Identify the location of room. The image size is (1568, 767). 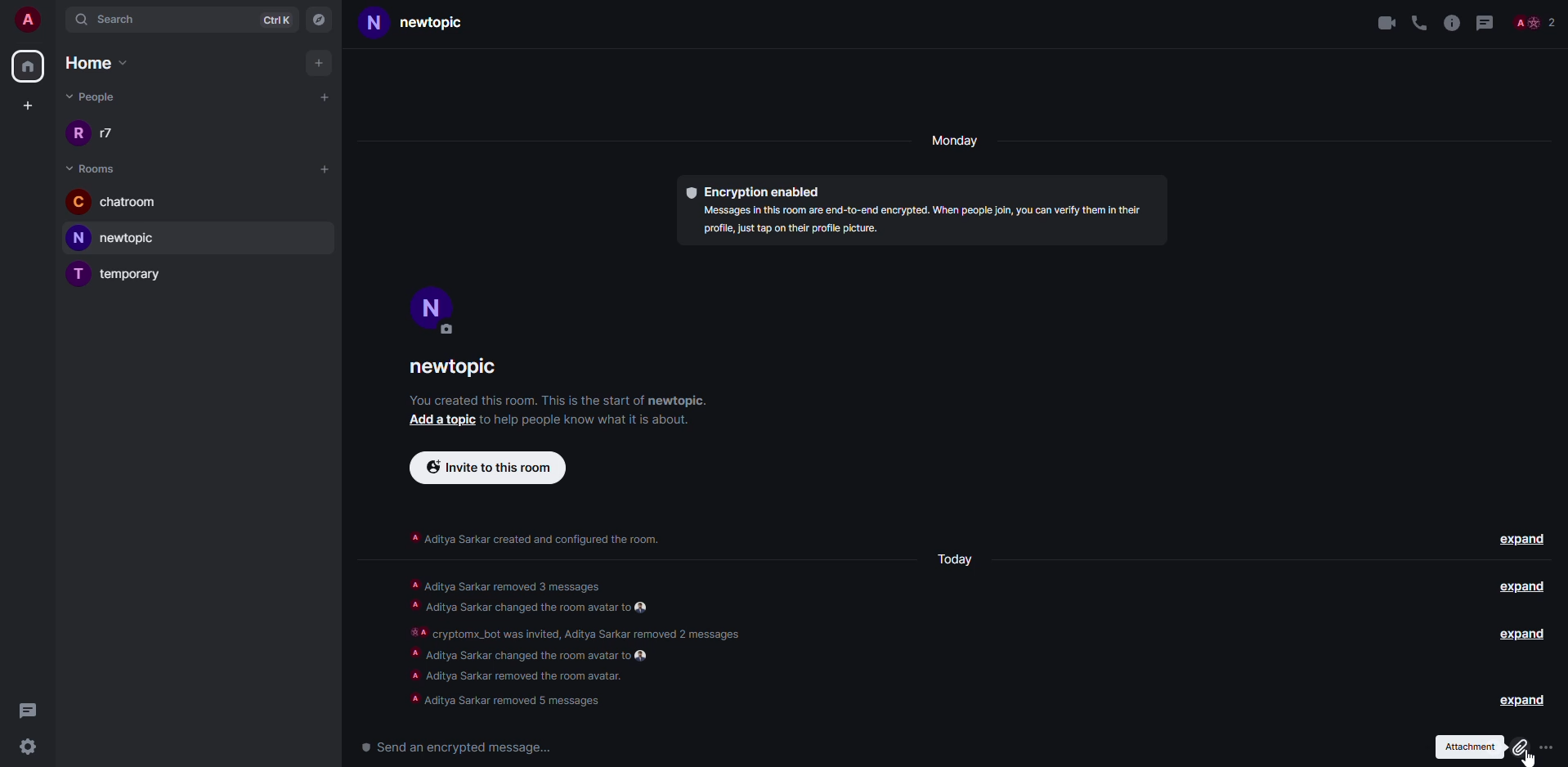
(127, 274).